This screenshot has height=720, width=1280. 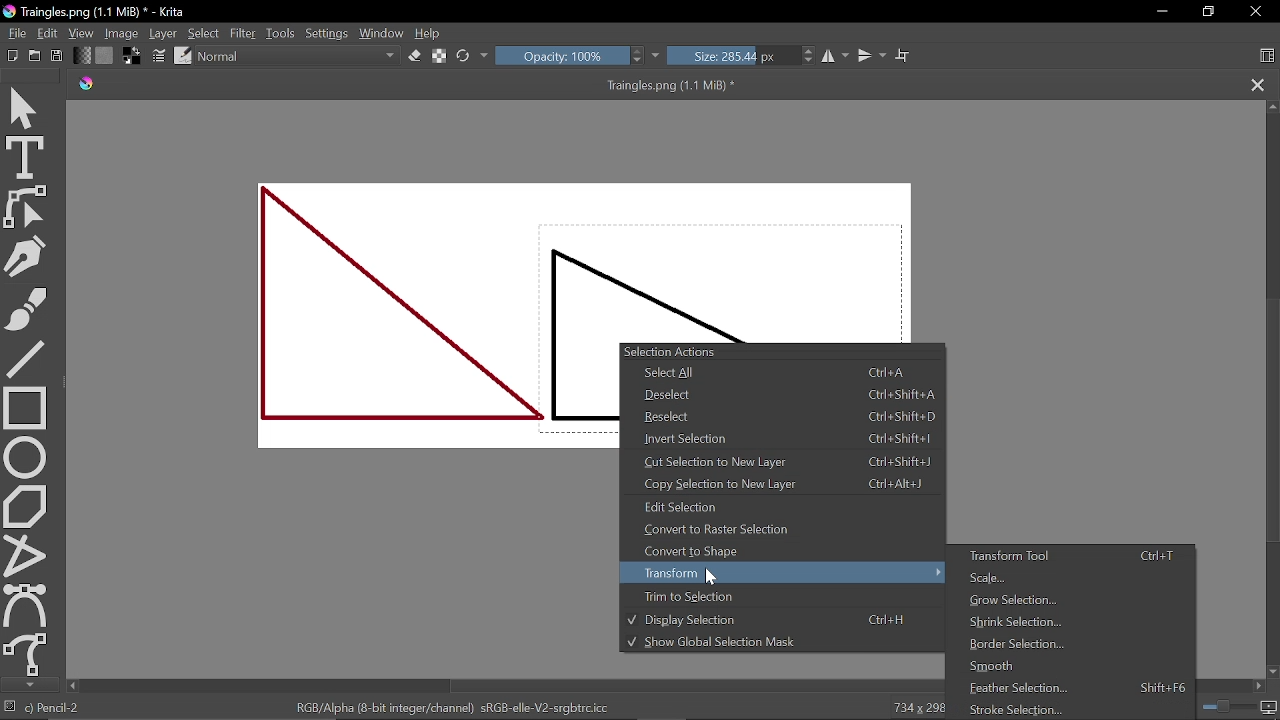 I want to click on Traingles.png (1.1 MiB) *, so click(x=433, y=85).